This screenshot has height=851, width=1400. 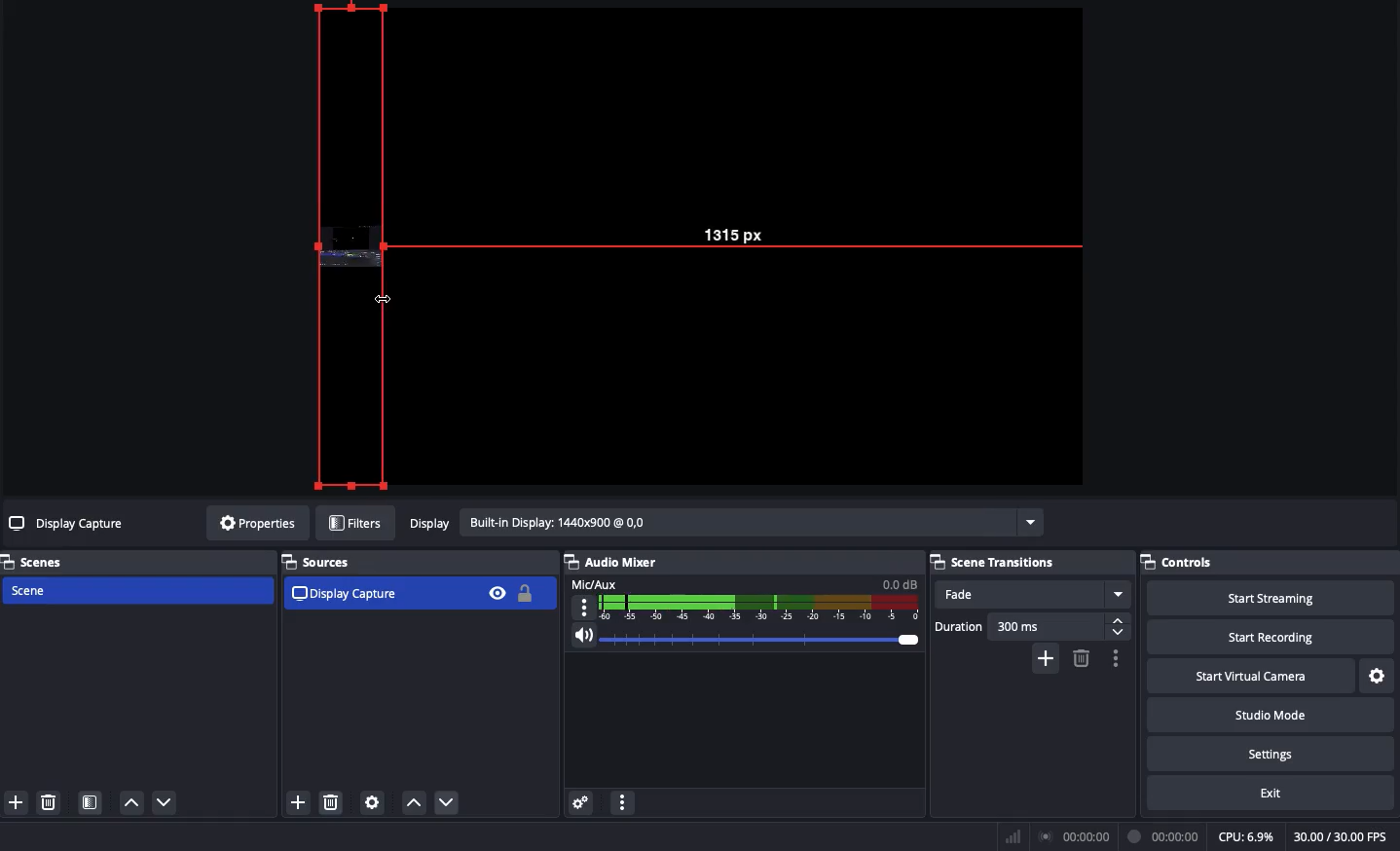 What do you see at coordinates (740, 641) in the screenshot?
I see `Volume` at bounding box center [740, 641].